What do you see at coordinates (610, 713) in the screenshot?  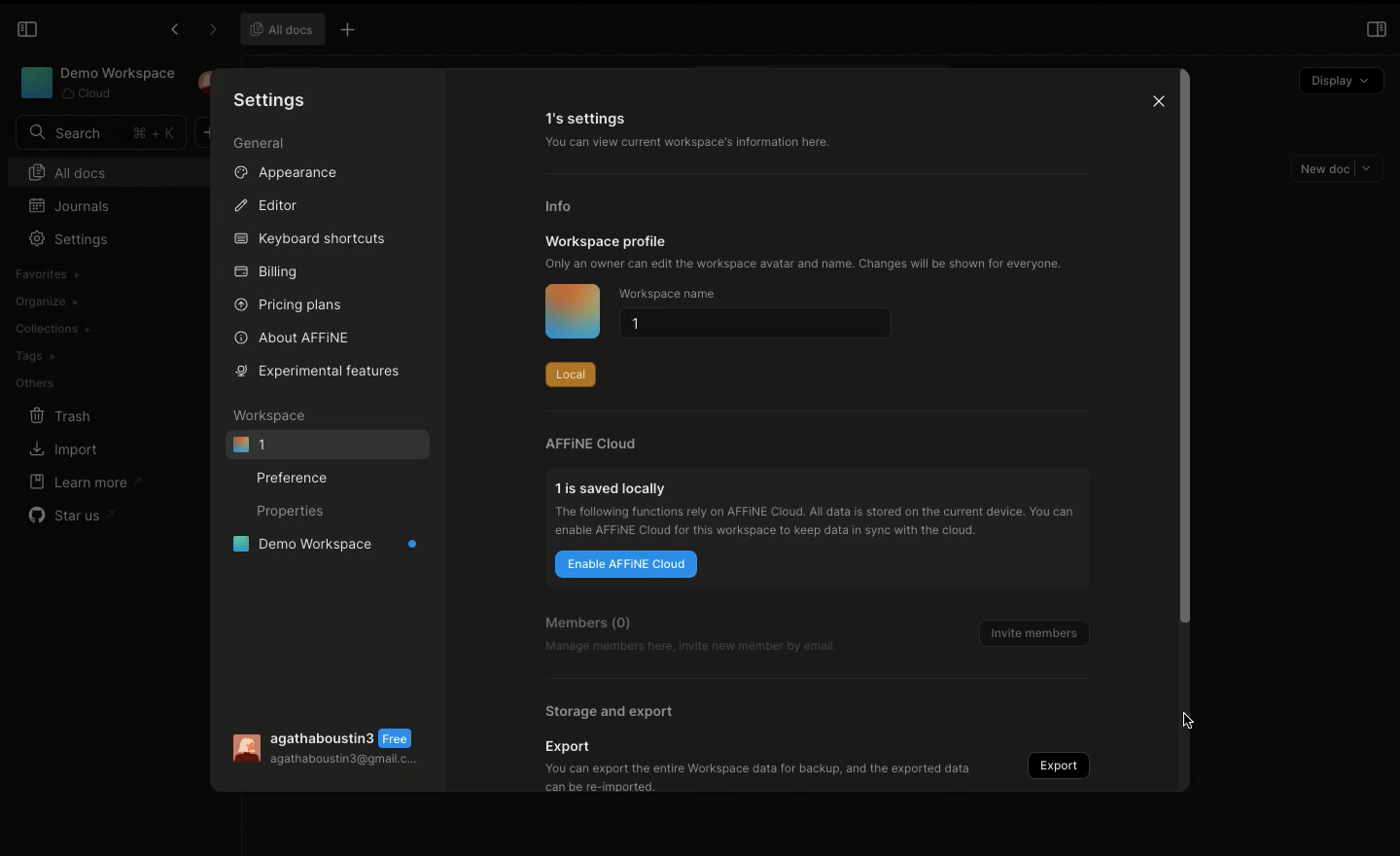 I see `Storage and export` at bounding box center [610, 713].